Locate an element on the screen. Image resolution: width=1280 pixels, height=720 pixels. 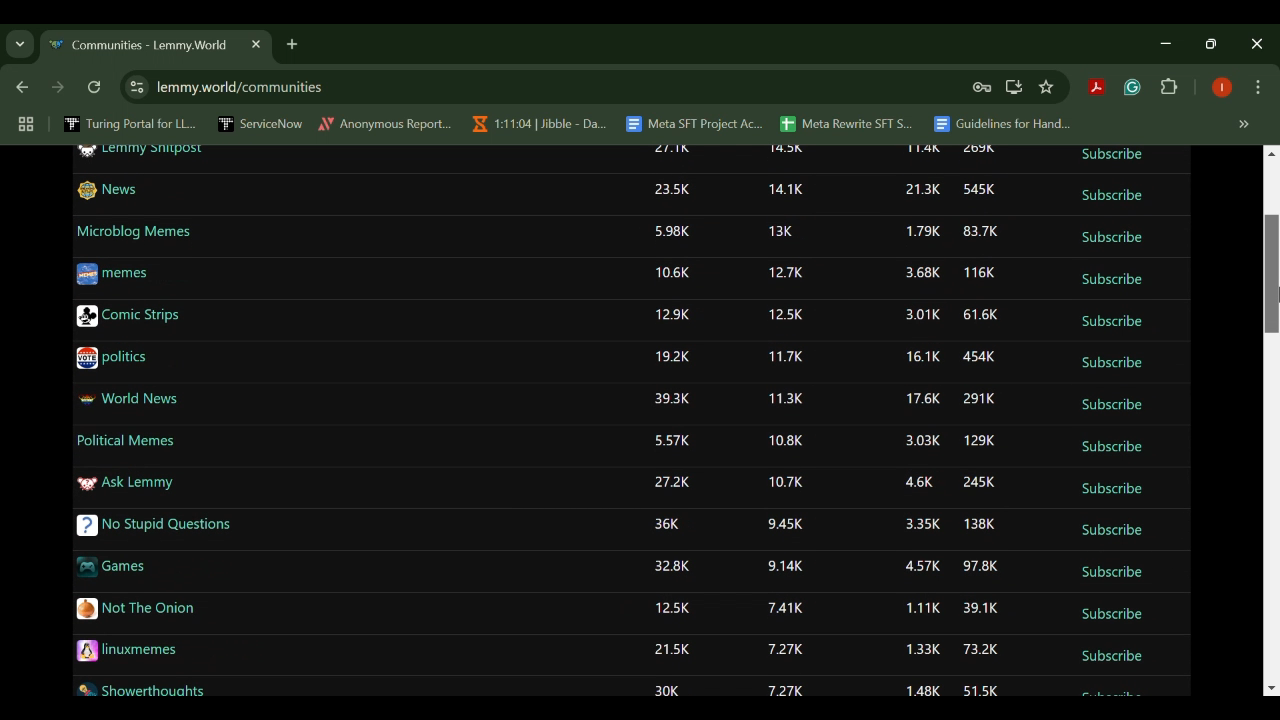
7.27K is located at coordinates (778, 692).